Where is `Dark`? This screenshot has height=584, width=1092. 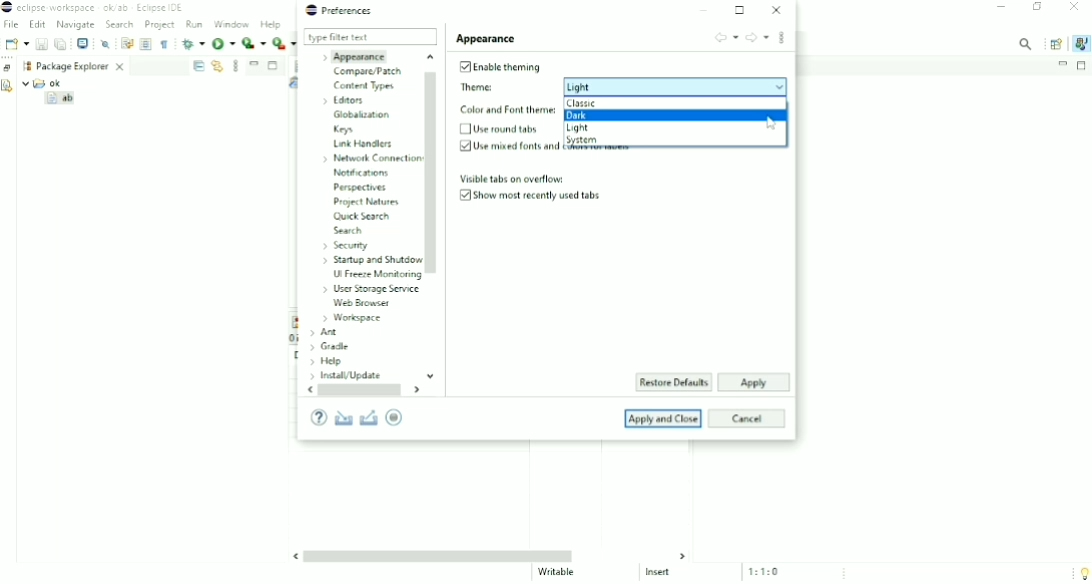 Dark is located at coordinates (587, 115).